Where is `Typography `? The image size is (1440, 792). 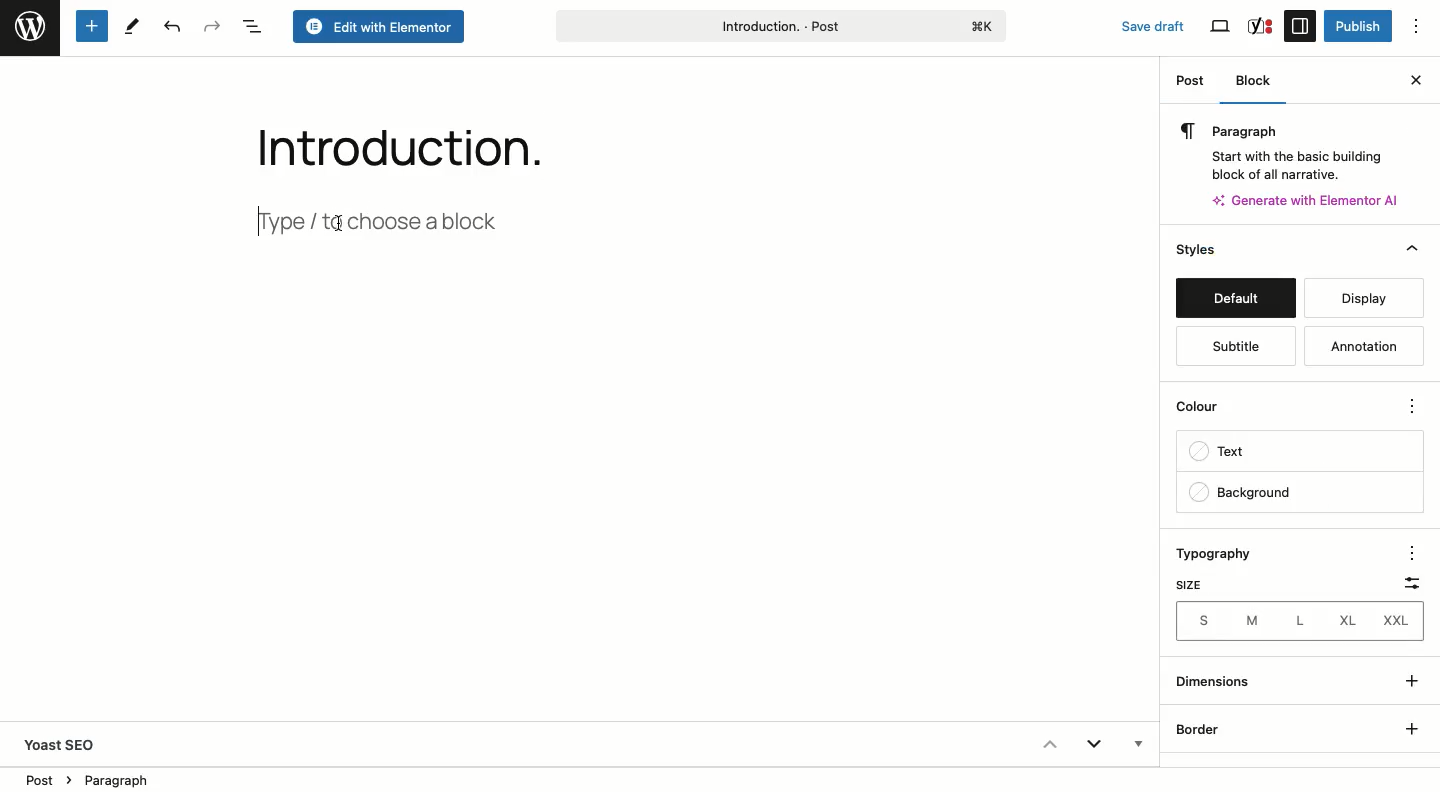
Typography  is located at coordinates (1223, 555).